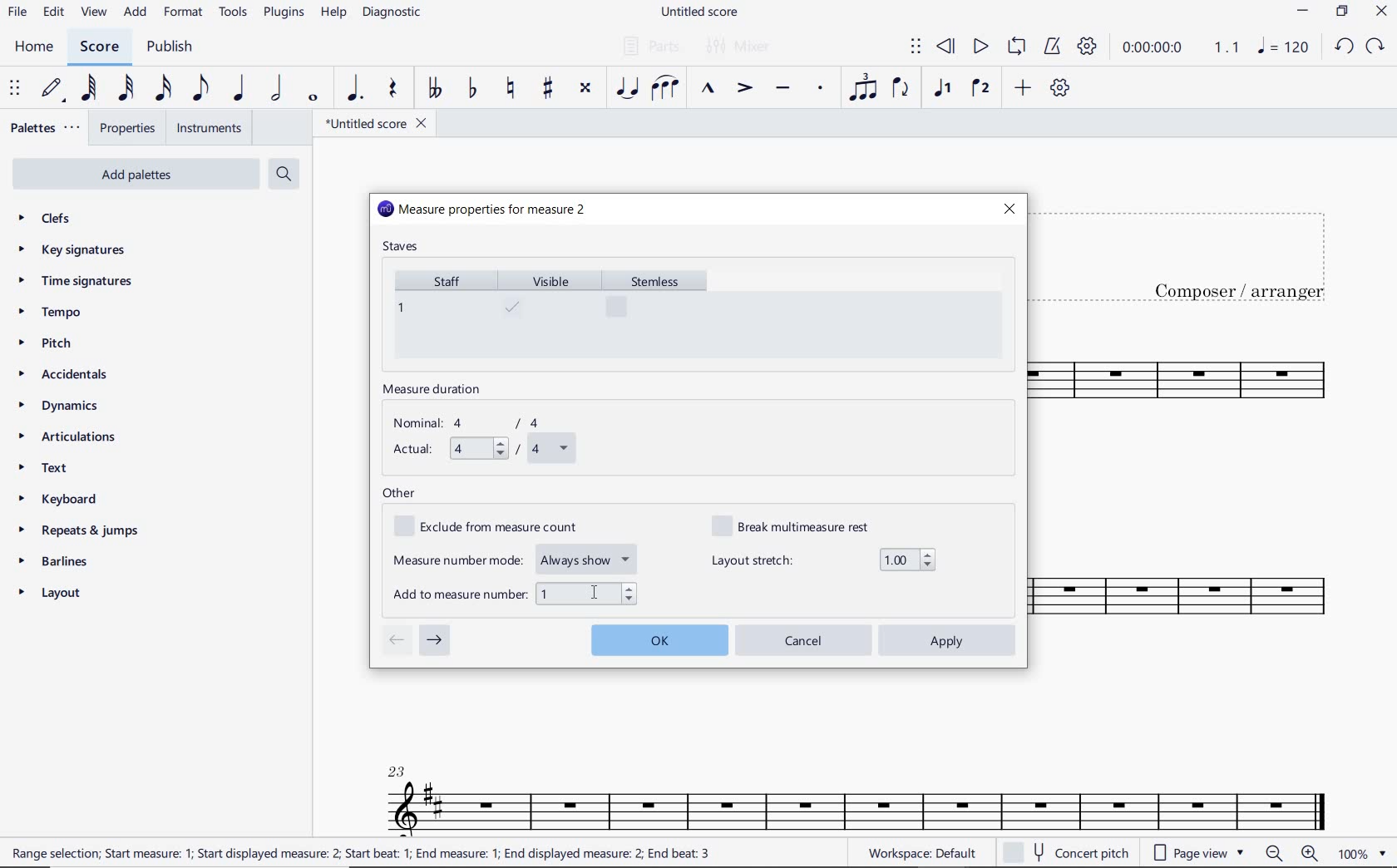  I want to click on apply, so click(949, 640).